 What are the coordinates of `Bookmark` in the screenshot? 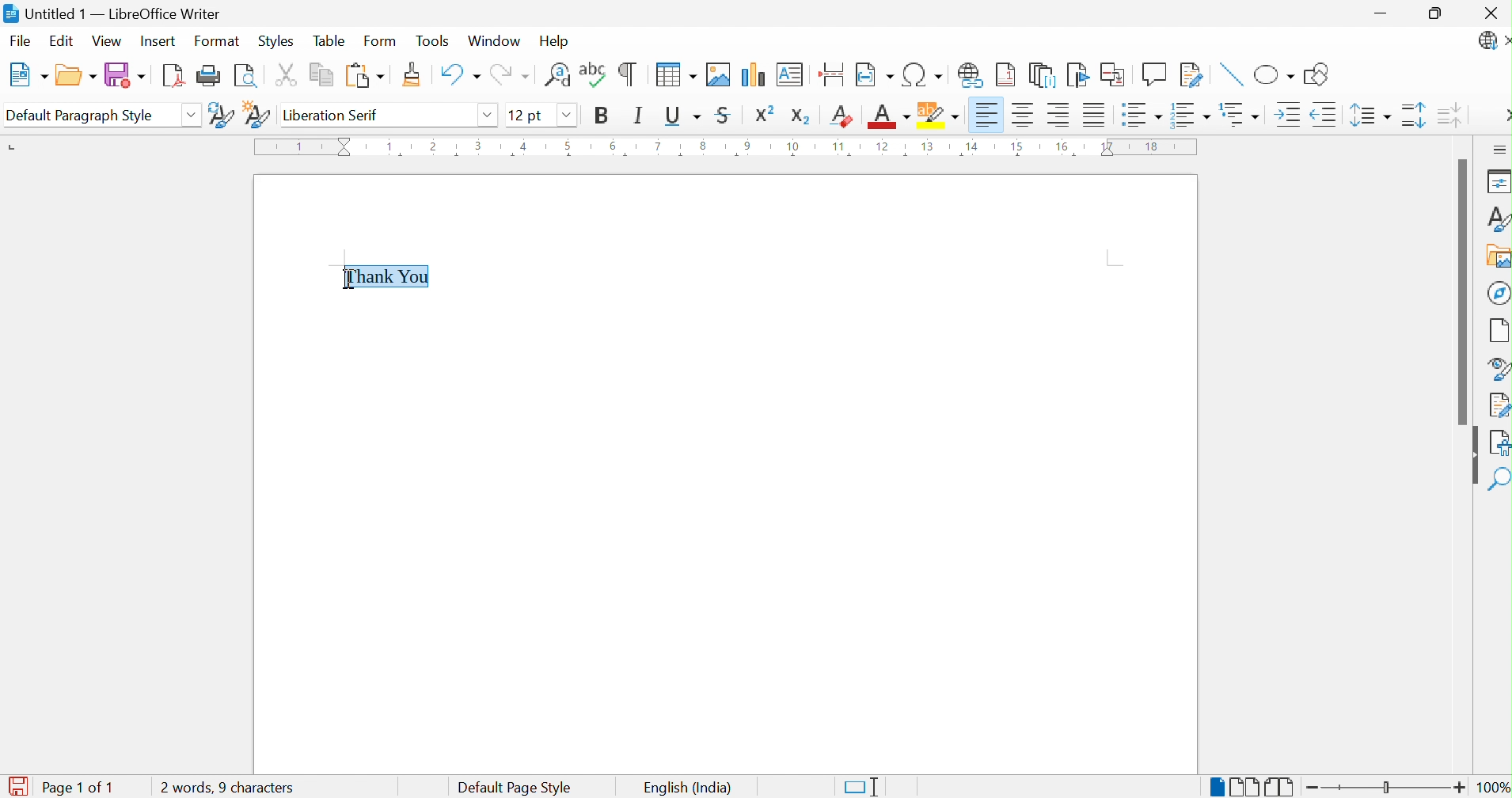 It's located at (1078, 74).